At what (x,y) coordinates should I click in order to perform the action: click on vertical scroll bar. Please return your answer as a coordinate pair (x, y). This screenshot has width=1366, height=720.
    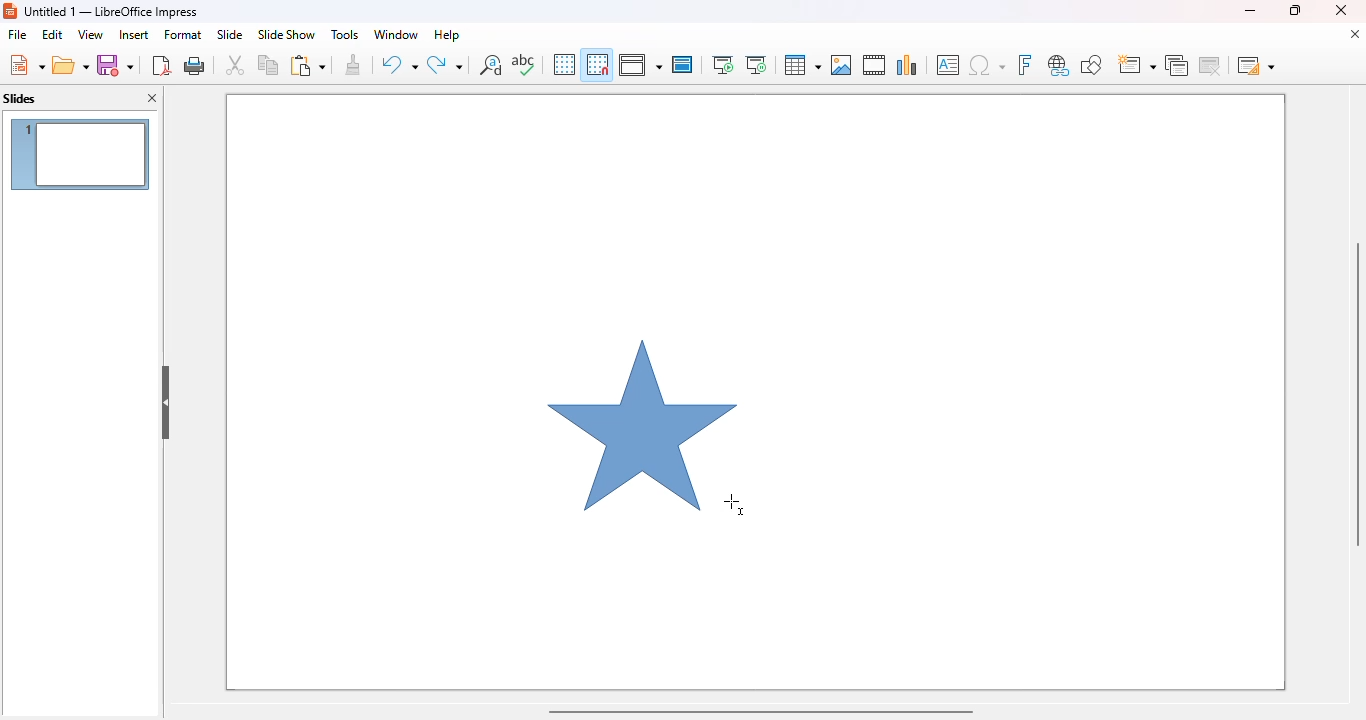
    Looking at the image, I should click on (1354, 394).